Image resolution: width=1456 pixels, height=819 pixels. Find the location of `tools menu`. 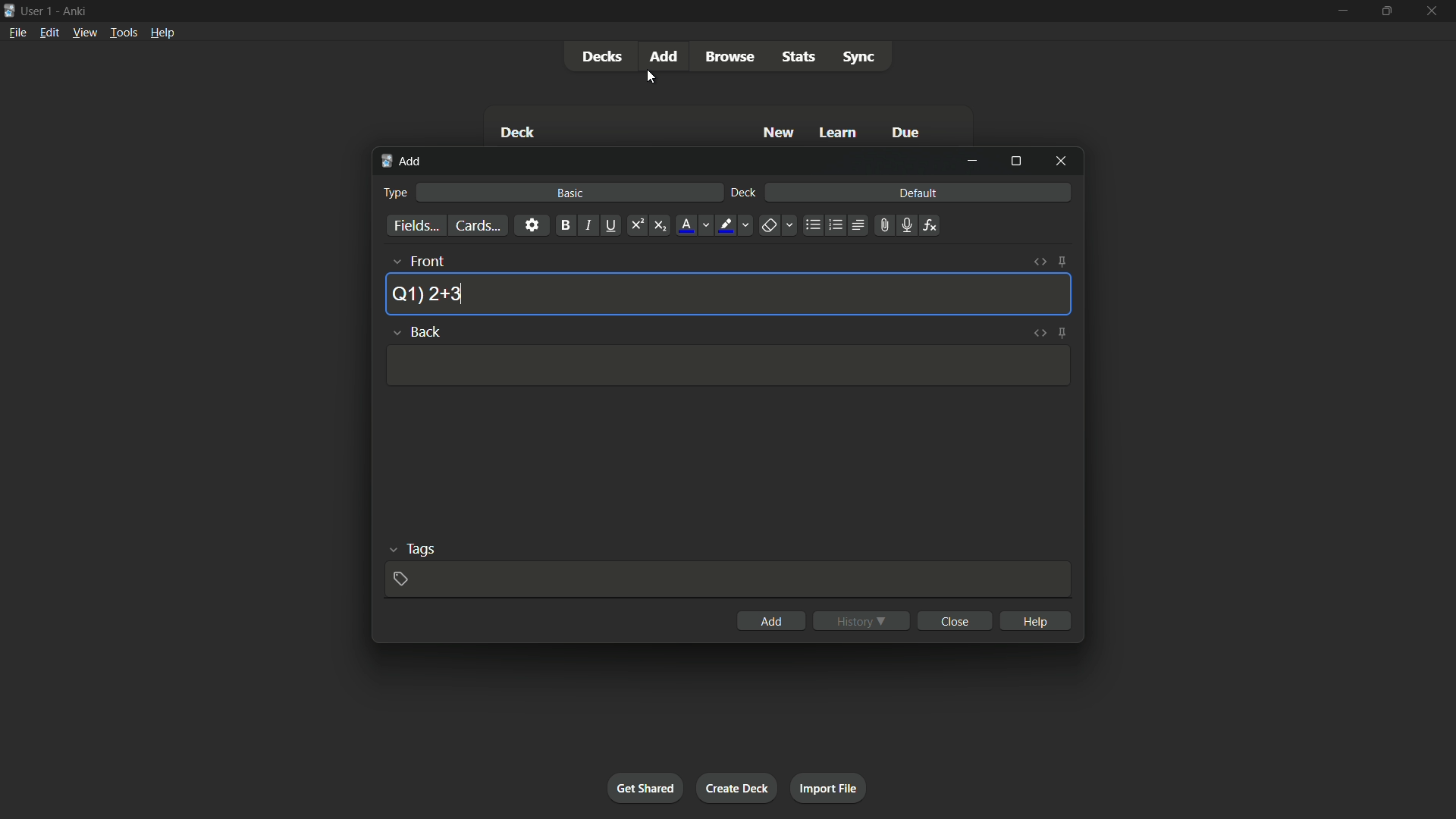

tools menu is located at coordinates (123, 32).